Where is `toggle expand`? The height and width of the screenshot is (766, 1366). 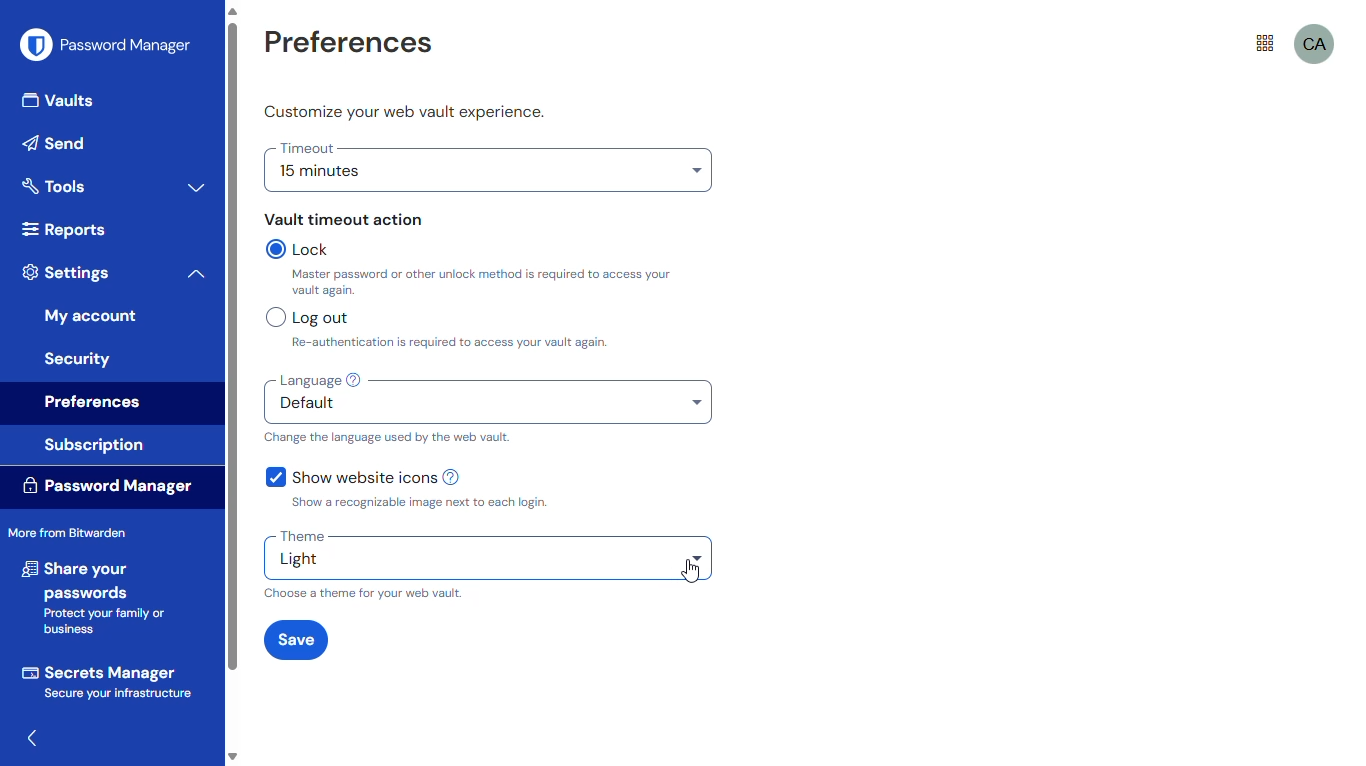
toggle expand is located at coordinates (197, 187).